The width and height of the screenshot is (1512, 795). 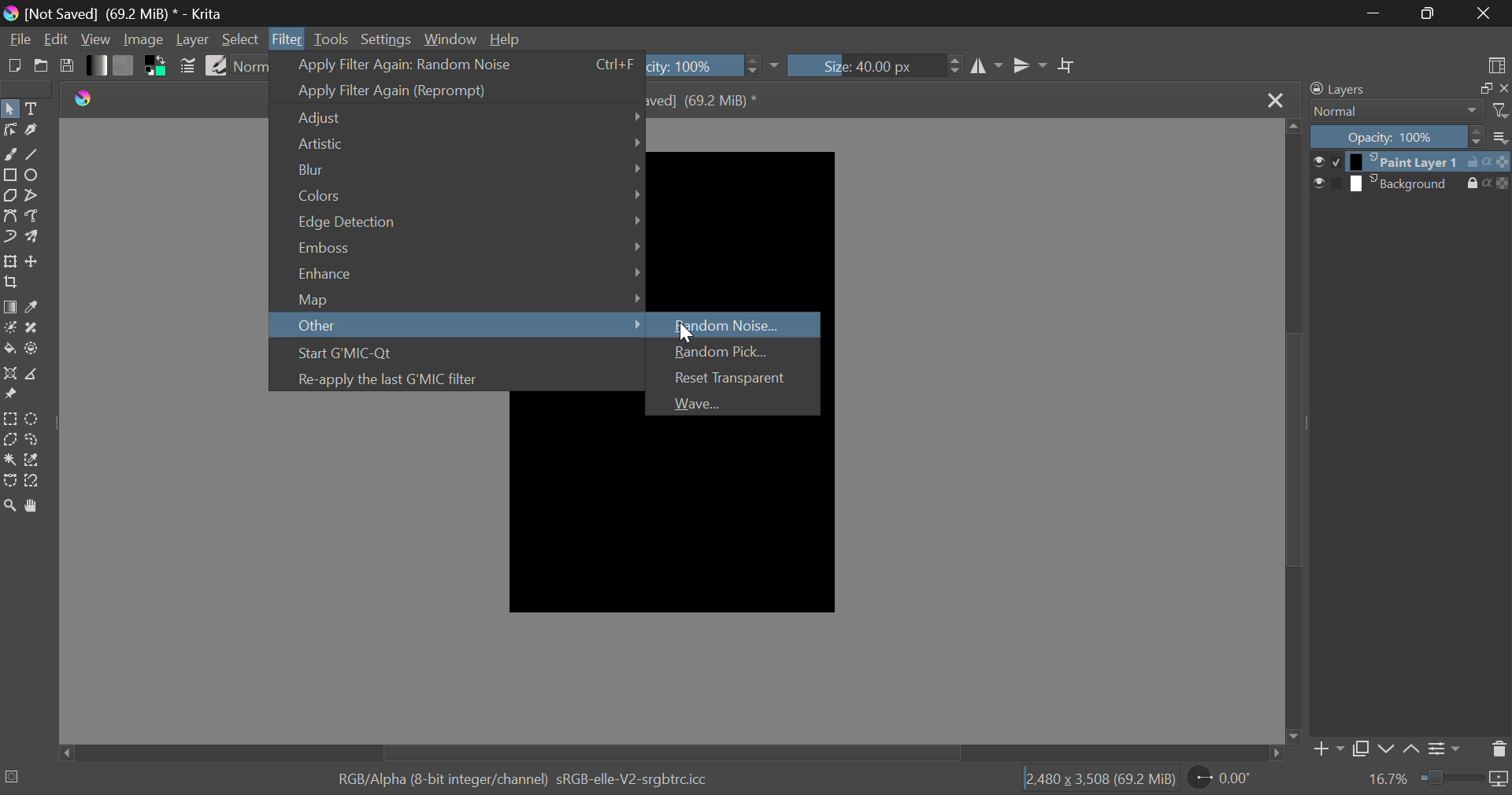 What do you see at coordinates (32, 238) in the screenshot?
I see `Multibrush Tool` at bounding box center [32, 238].